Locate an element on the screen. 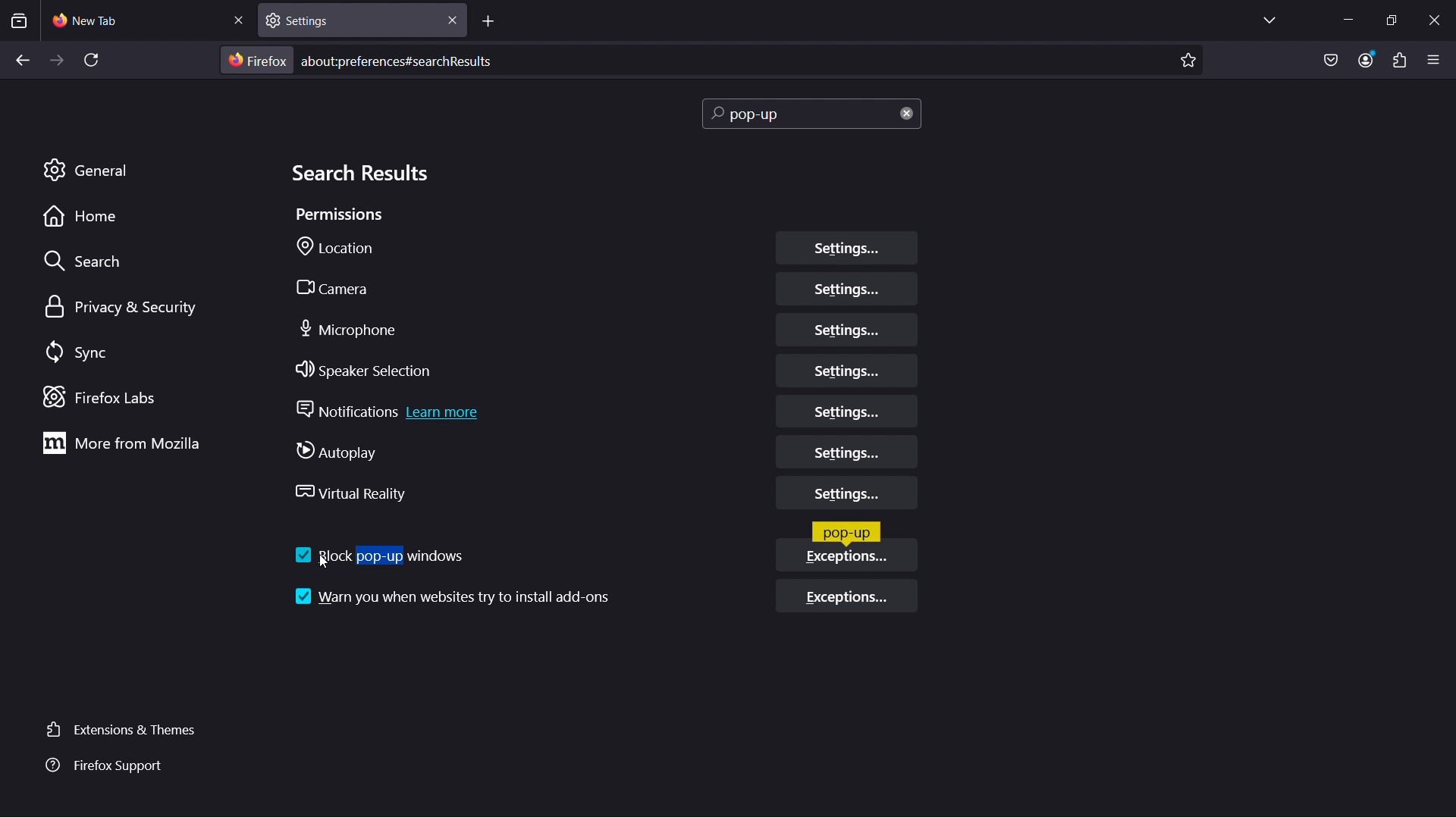  Settings tab is located at coordinates (359, 20).